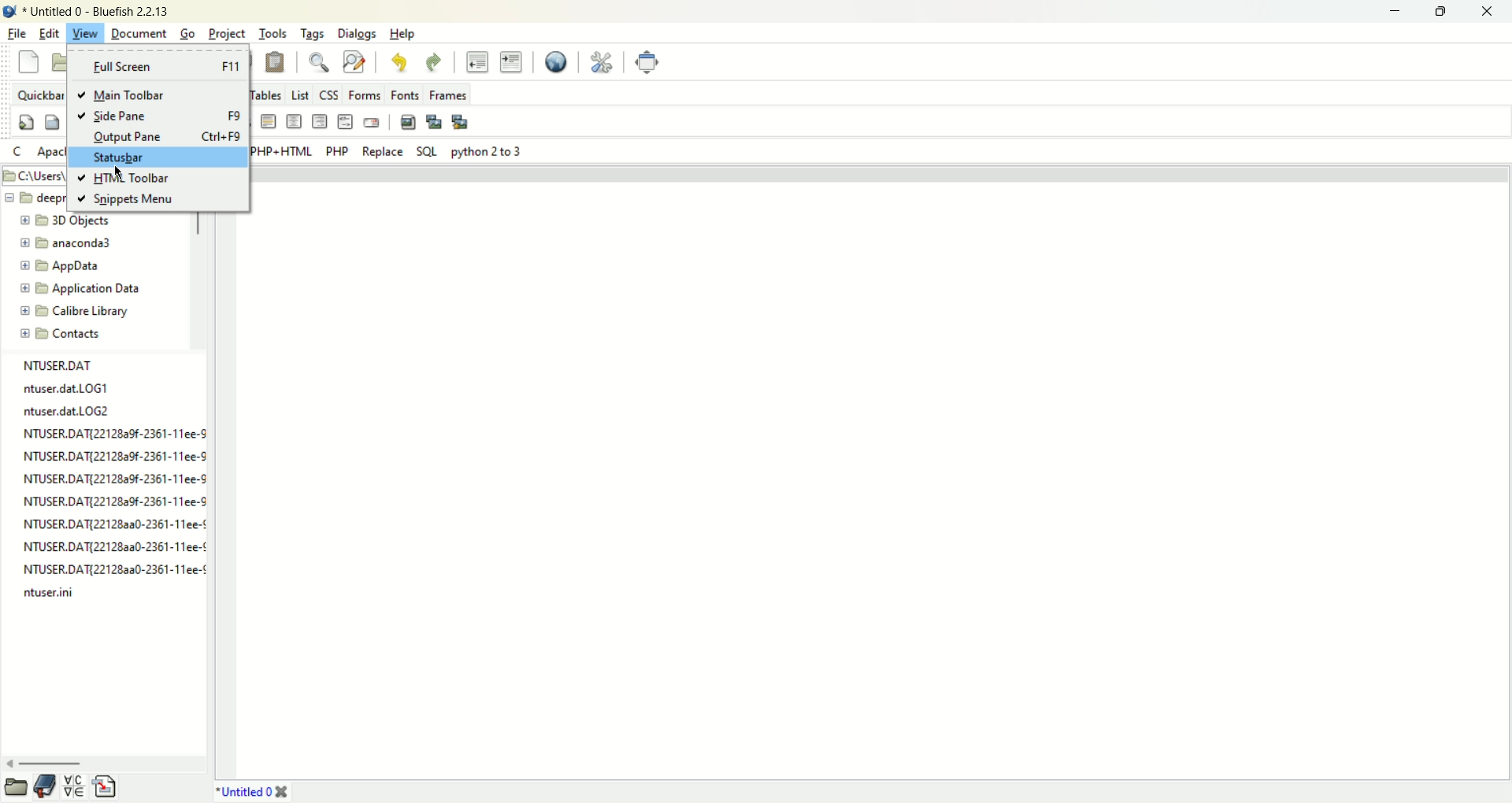  What do you see at coordinates (61, 61) in the screenshot?
I see `open file` at bounding box center [61, 61].